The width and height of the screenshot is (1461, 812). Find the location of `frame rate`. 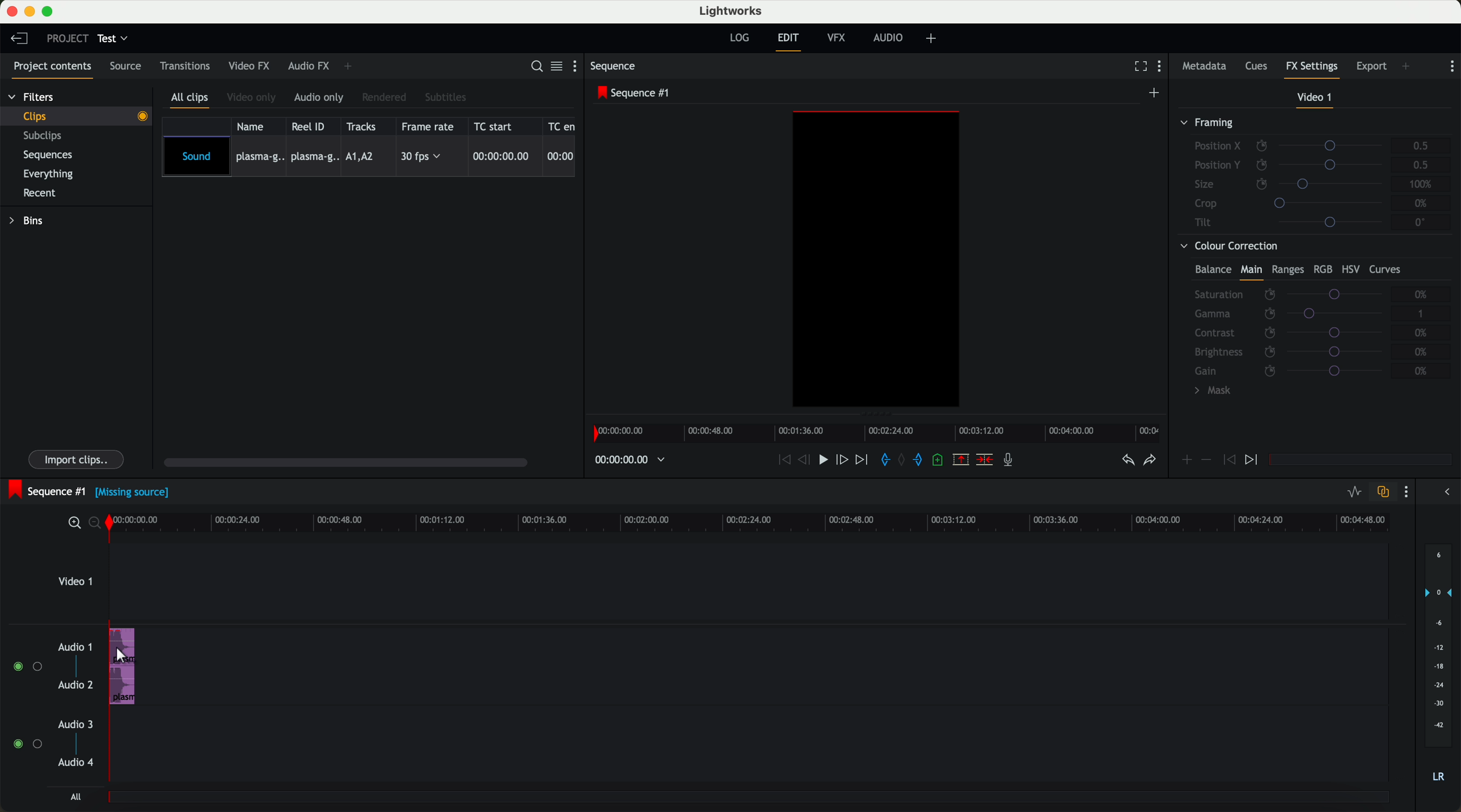

frame rate is located at coordinates (430, 126).